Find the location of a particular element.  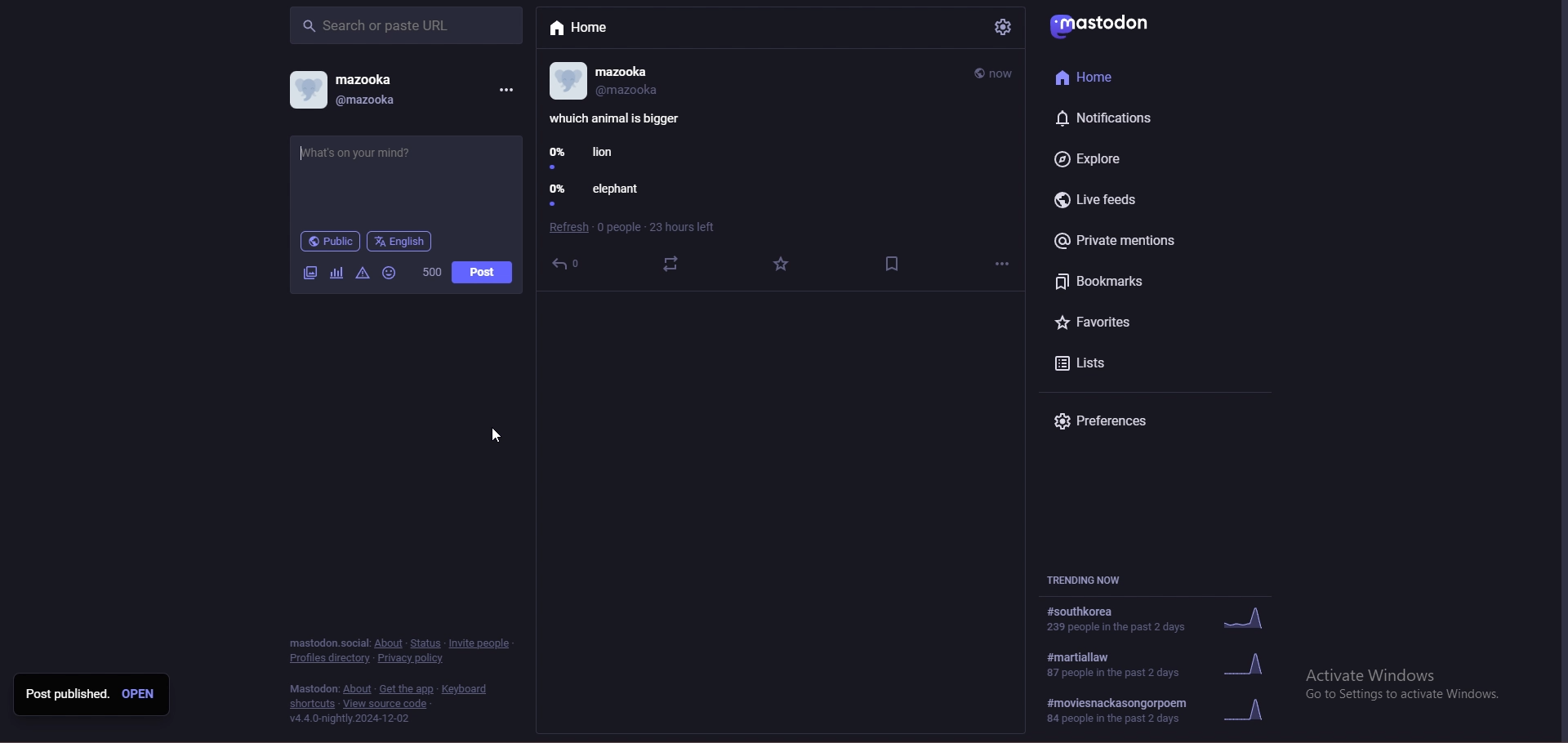

Home is located at coordinates (1090, 76).